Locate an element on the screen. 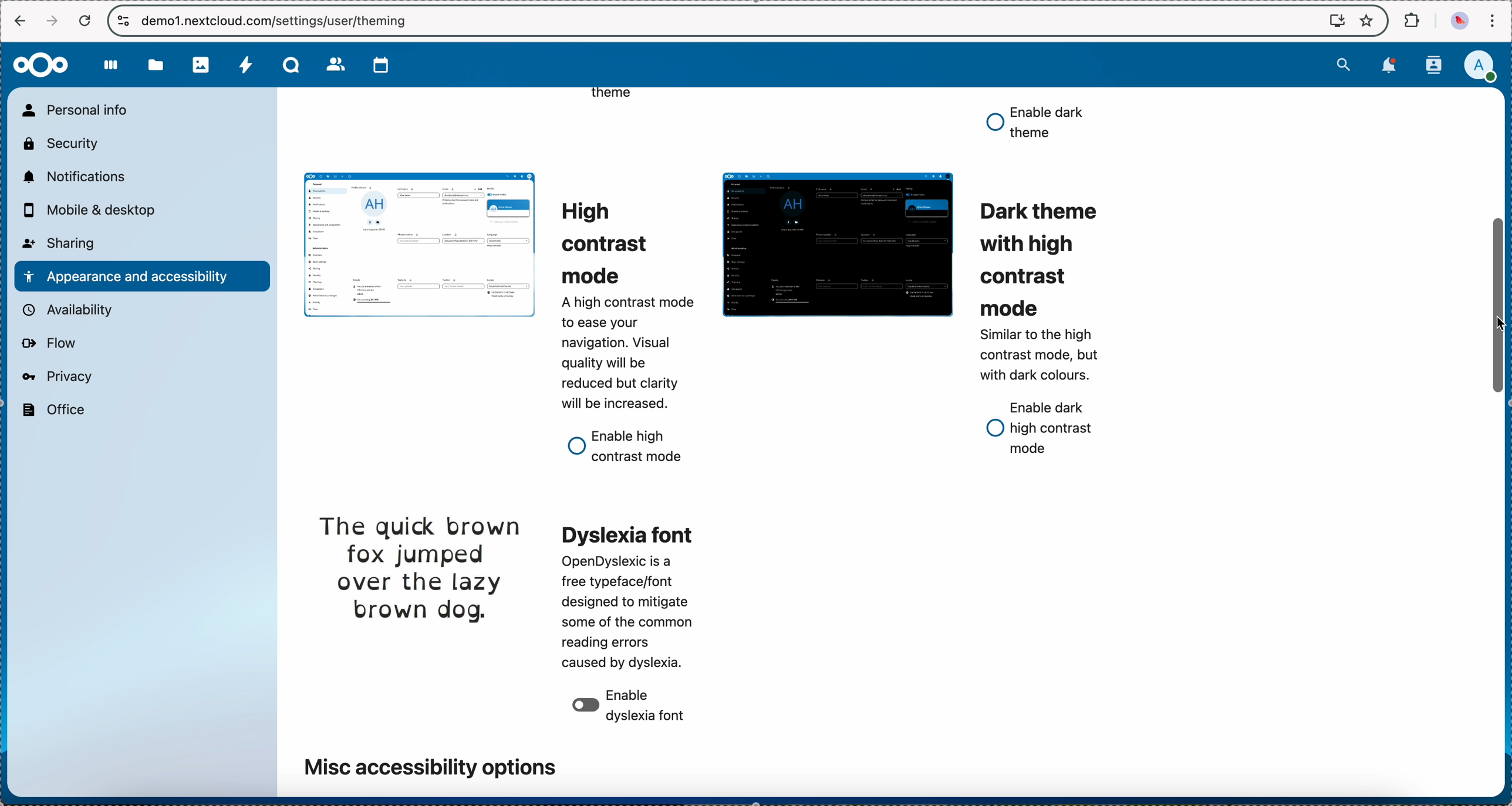 The image size is (1512, 806). personal info is located at coordinates (80, 110).